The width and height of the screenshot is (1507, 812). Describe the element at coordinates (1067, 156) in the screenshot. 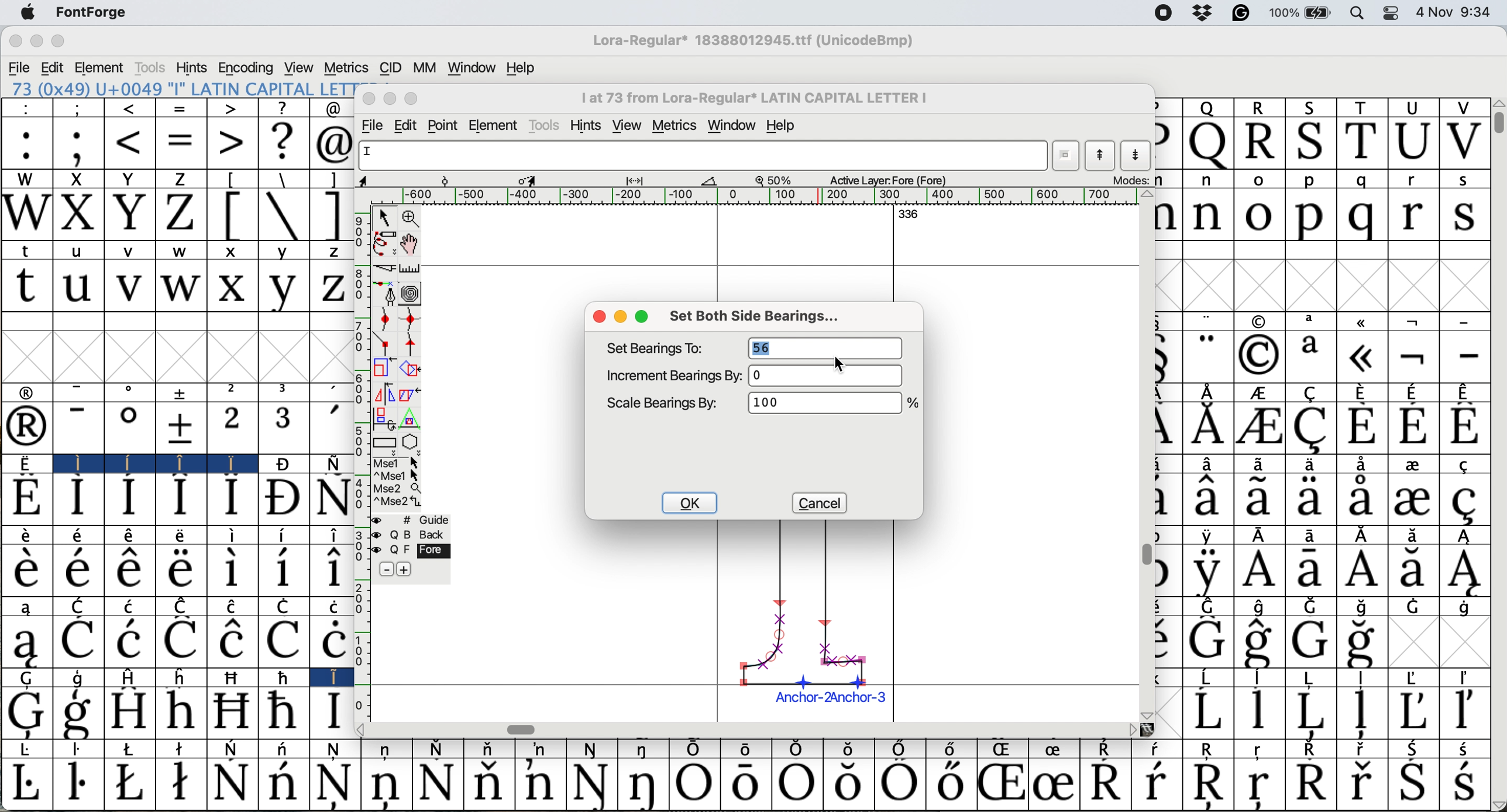

I see `current wordlist` at that location.